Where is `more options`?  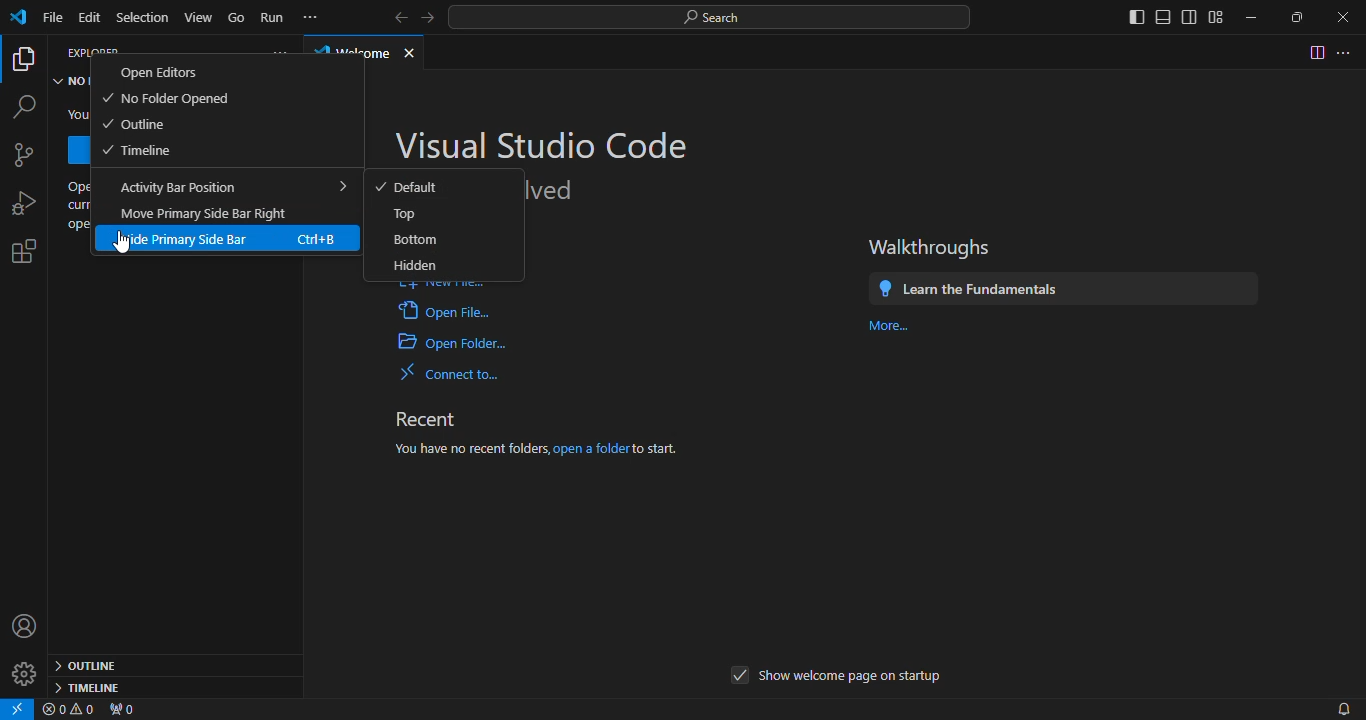 more options is located at coordinates (1346, 51).